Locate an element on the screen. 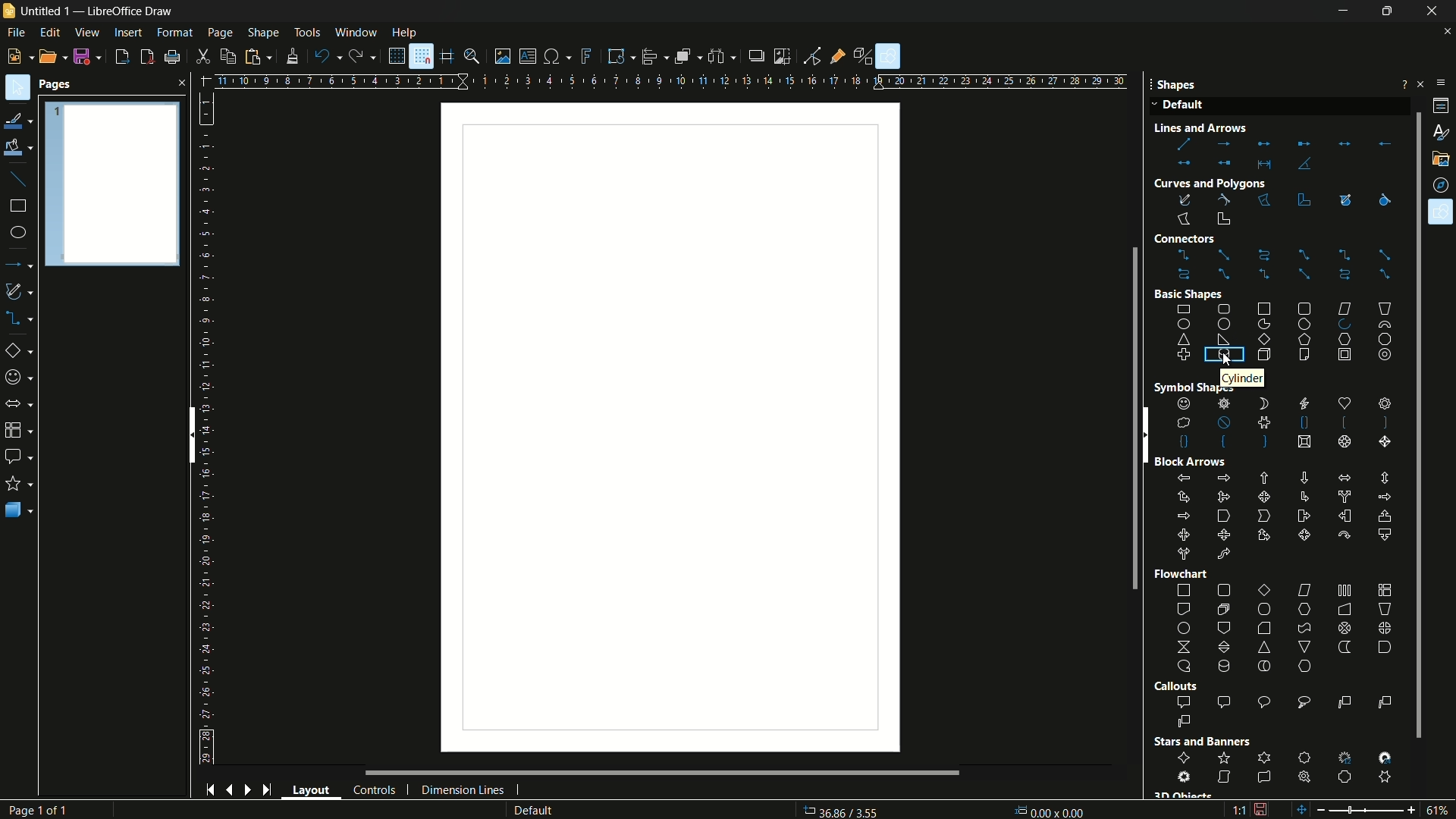  3D Object is located at coordinates (1182, 795).